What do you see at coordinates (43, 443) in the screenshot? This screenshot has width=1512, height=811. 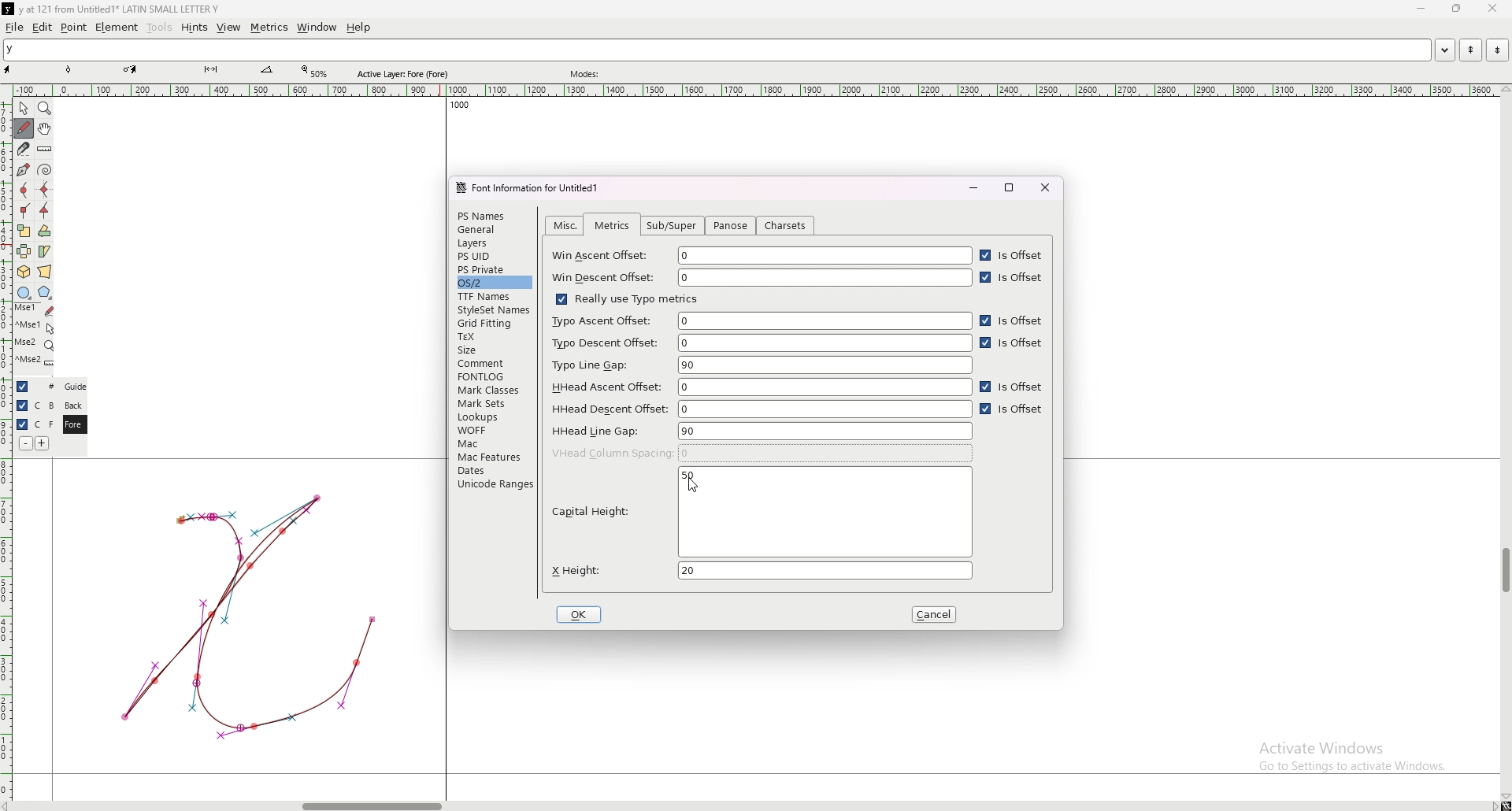 I see `add layer` at bounding box center [43, 443].